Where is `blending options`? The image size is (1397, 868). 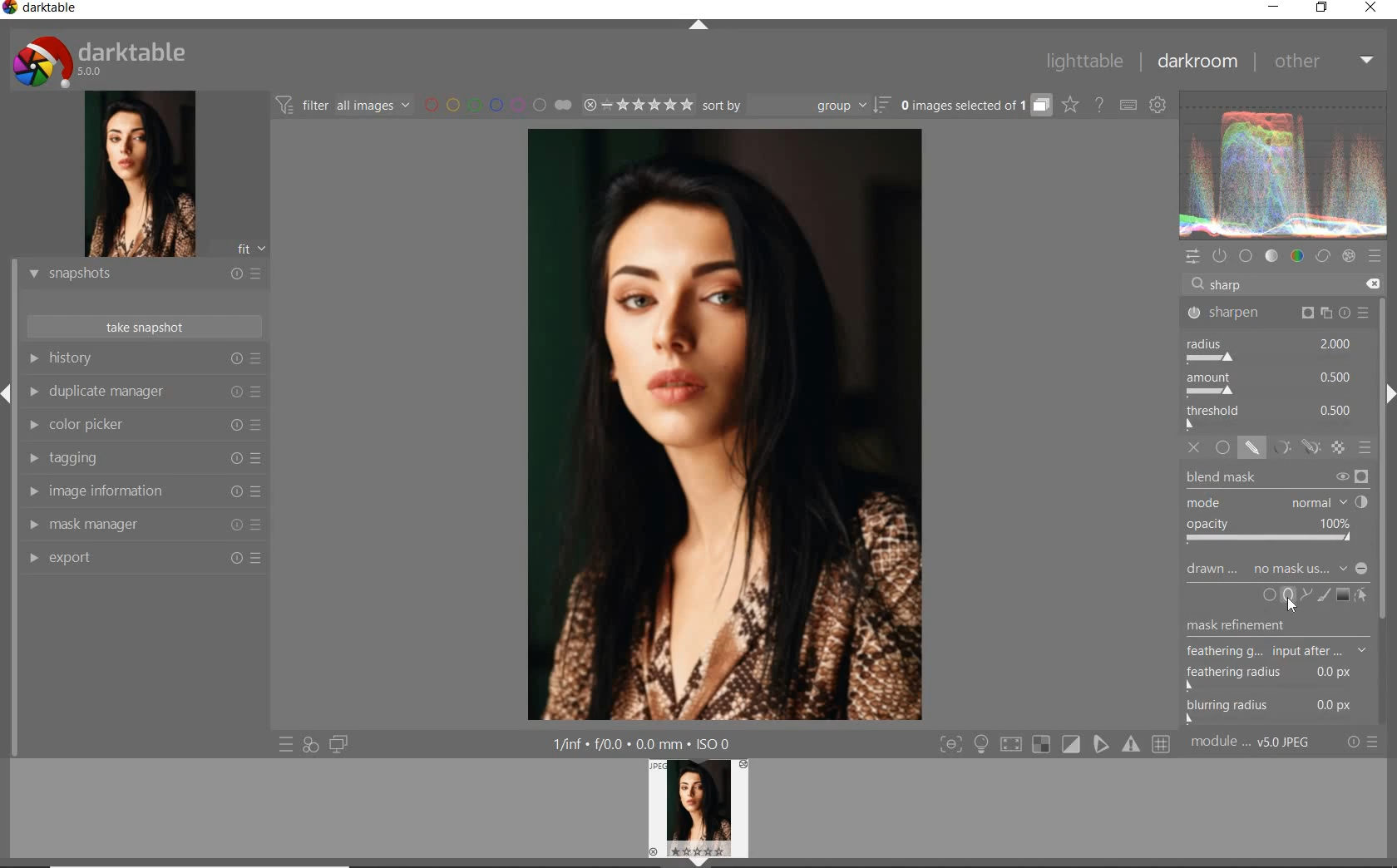 blending options is located at coordinates (1366, 449).